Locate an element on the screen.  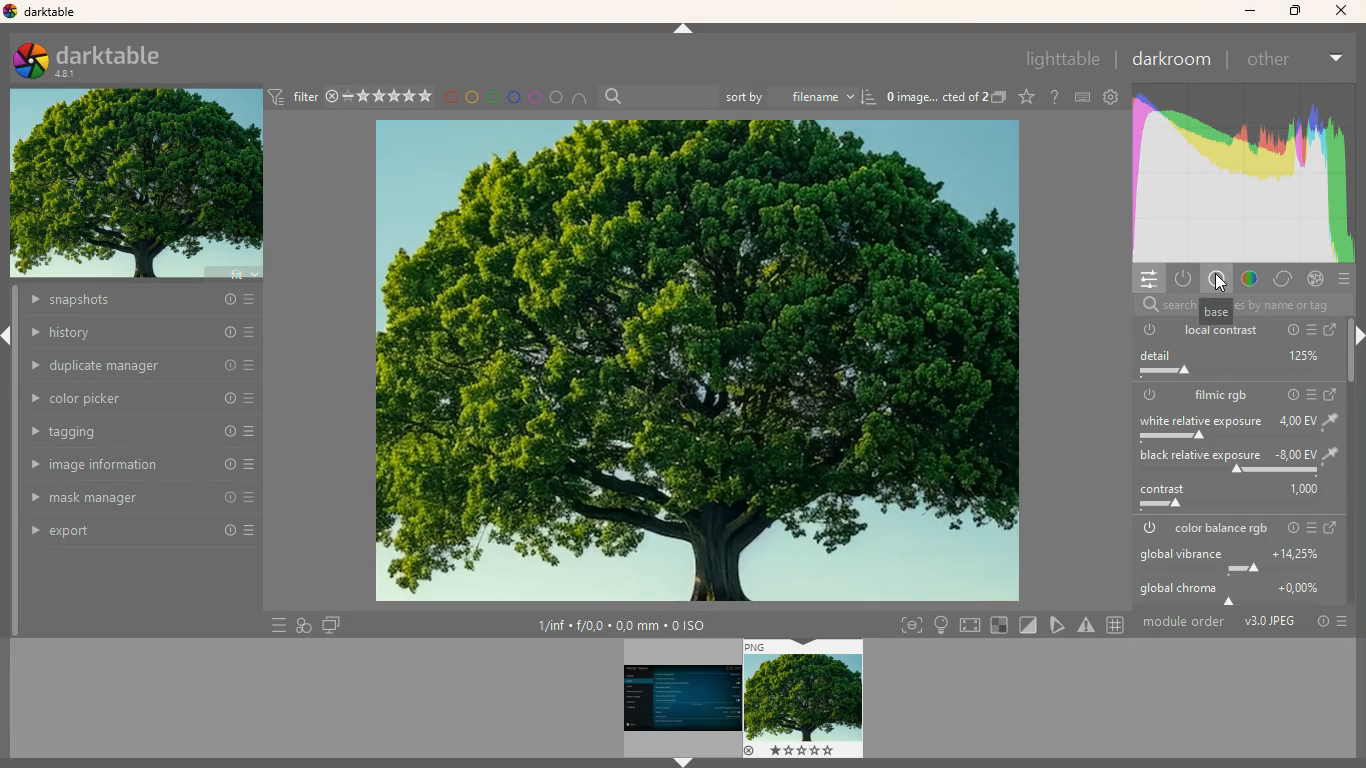
blue circle is located at coordinates (513, 96).